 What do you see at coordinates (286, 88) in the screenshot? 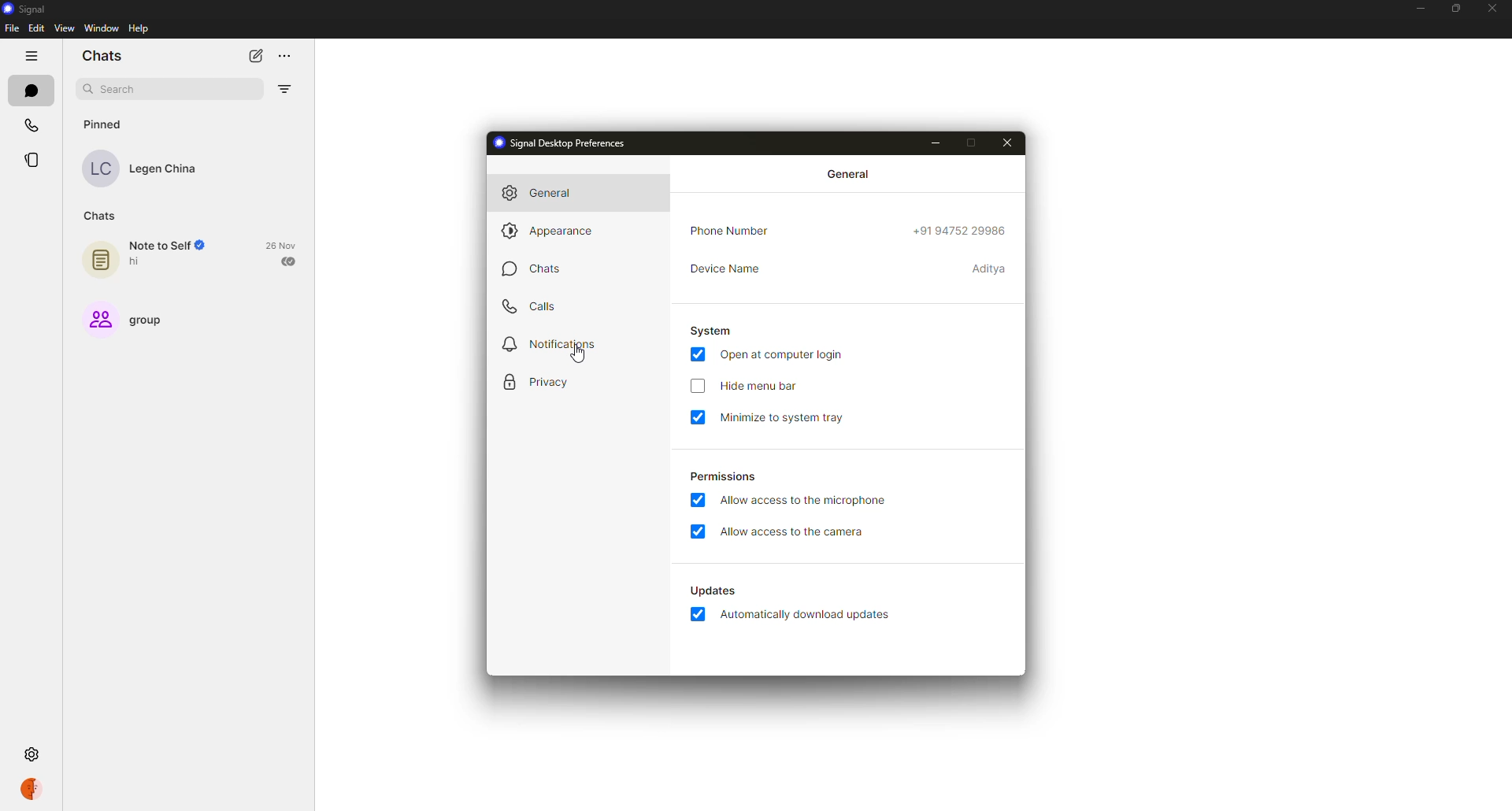
I see `filter` at bounding box center [286, 88].